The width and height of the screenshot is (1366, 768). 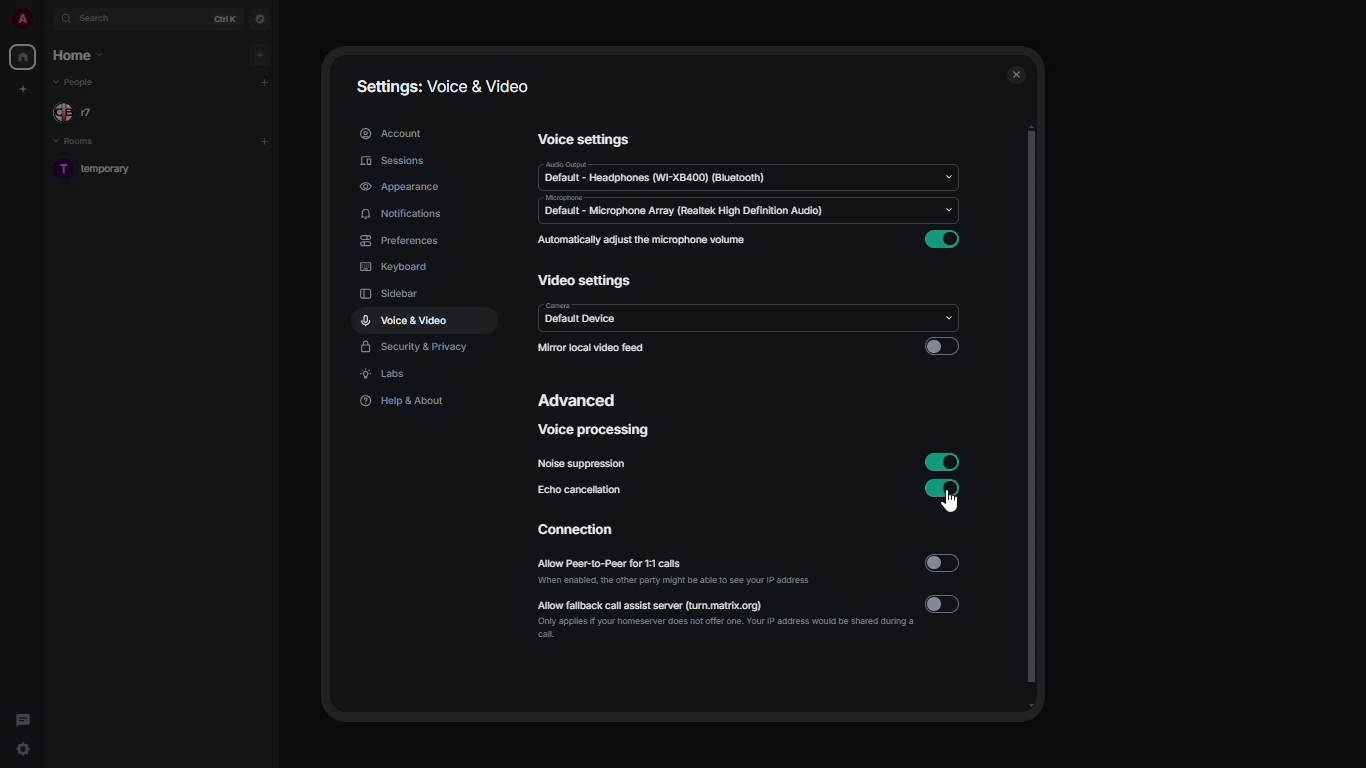 I want to click on voice processing, so click(x=594, y=431).